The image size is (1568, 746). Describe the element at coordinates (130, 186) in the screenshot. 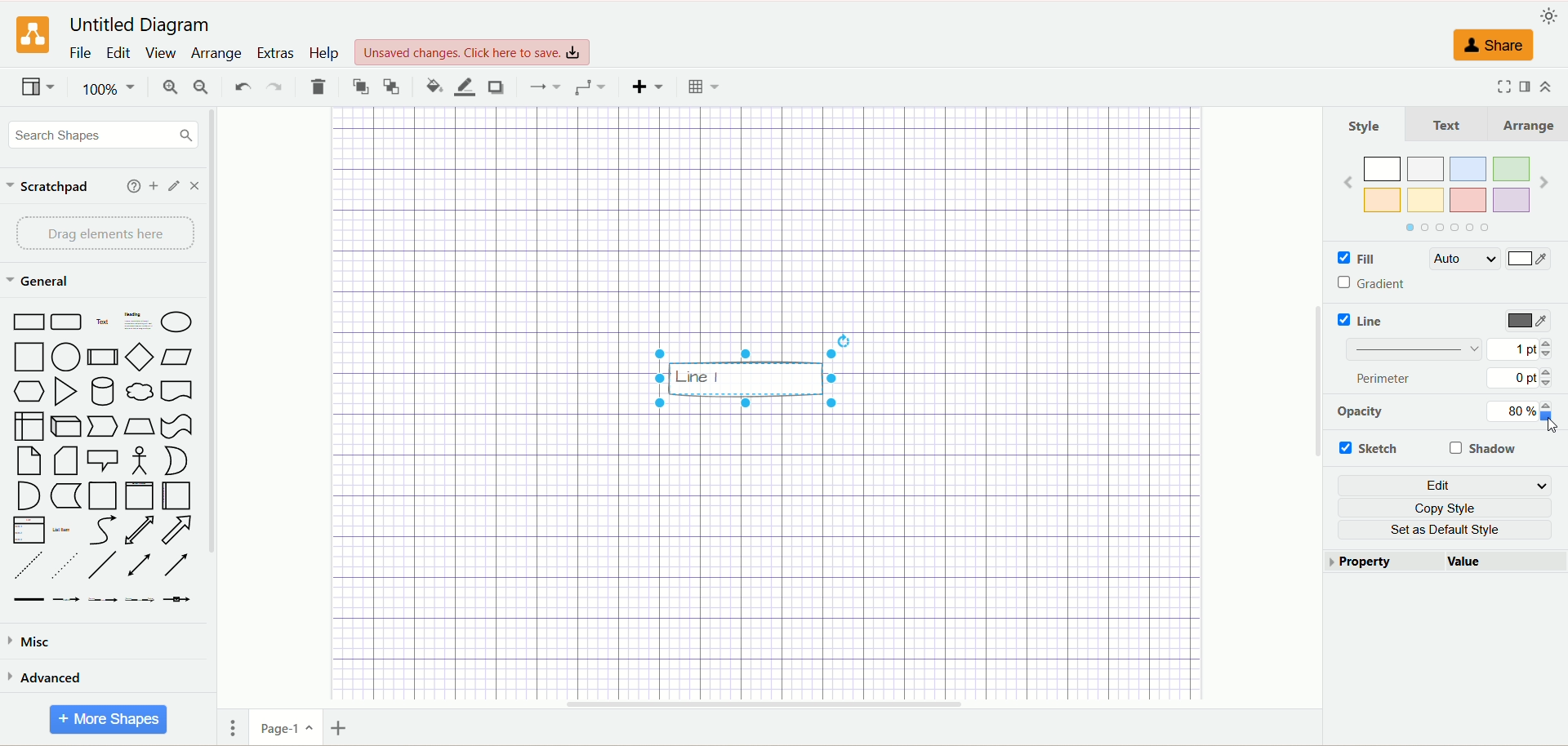

I see `add` at that location.